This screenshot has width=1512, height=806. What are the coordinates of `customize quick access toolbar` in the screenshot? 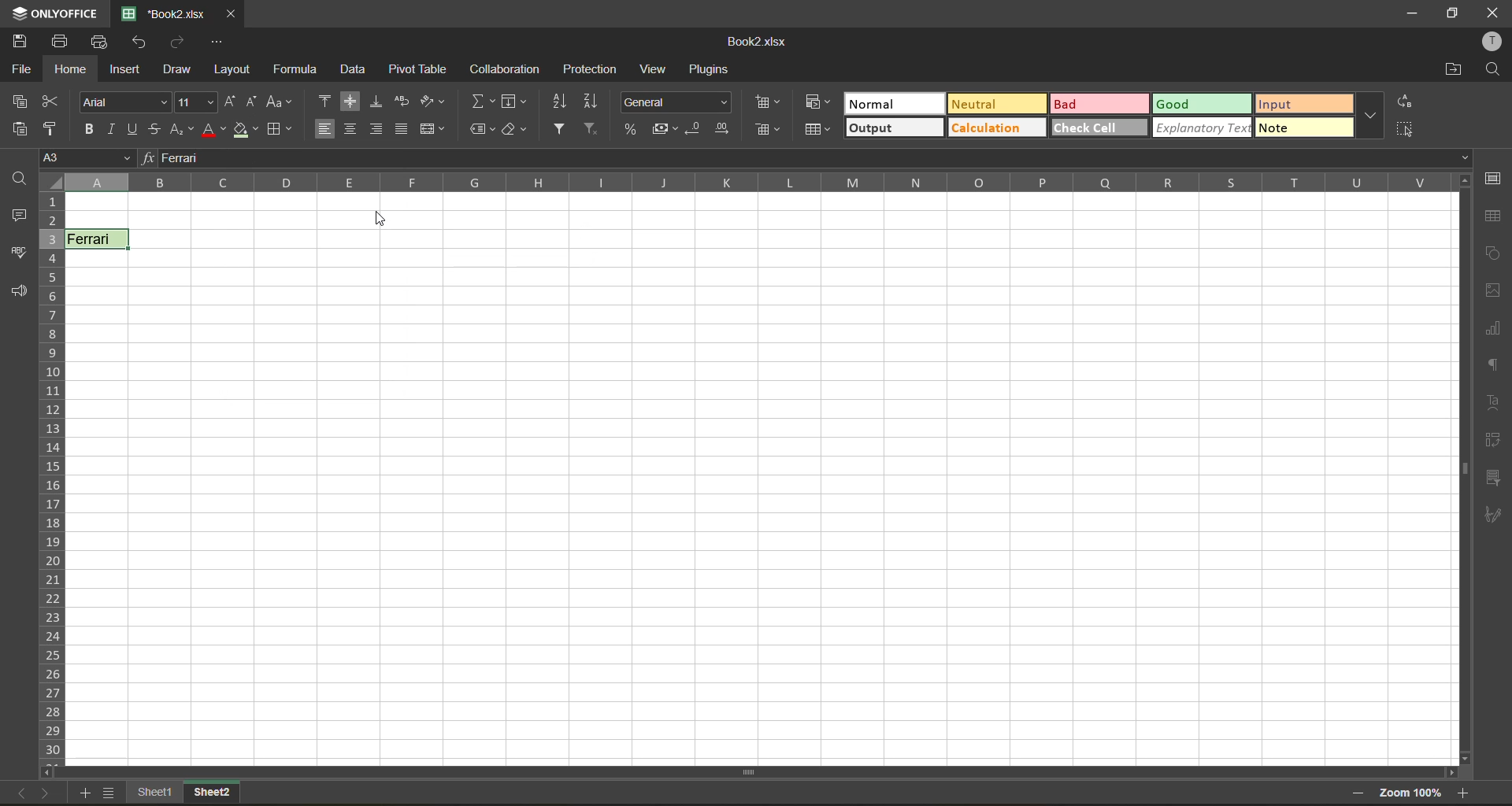 It's located at (217, 42).